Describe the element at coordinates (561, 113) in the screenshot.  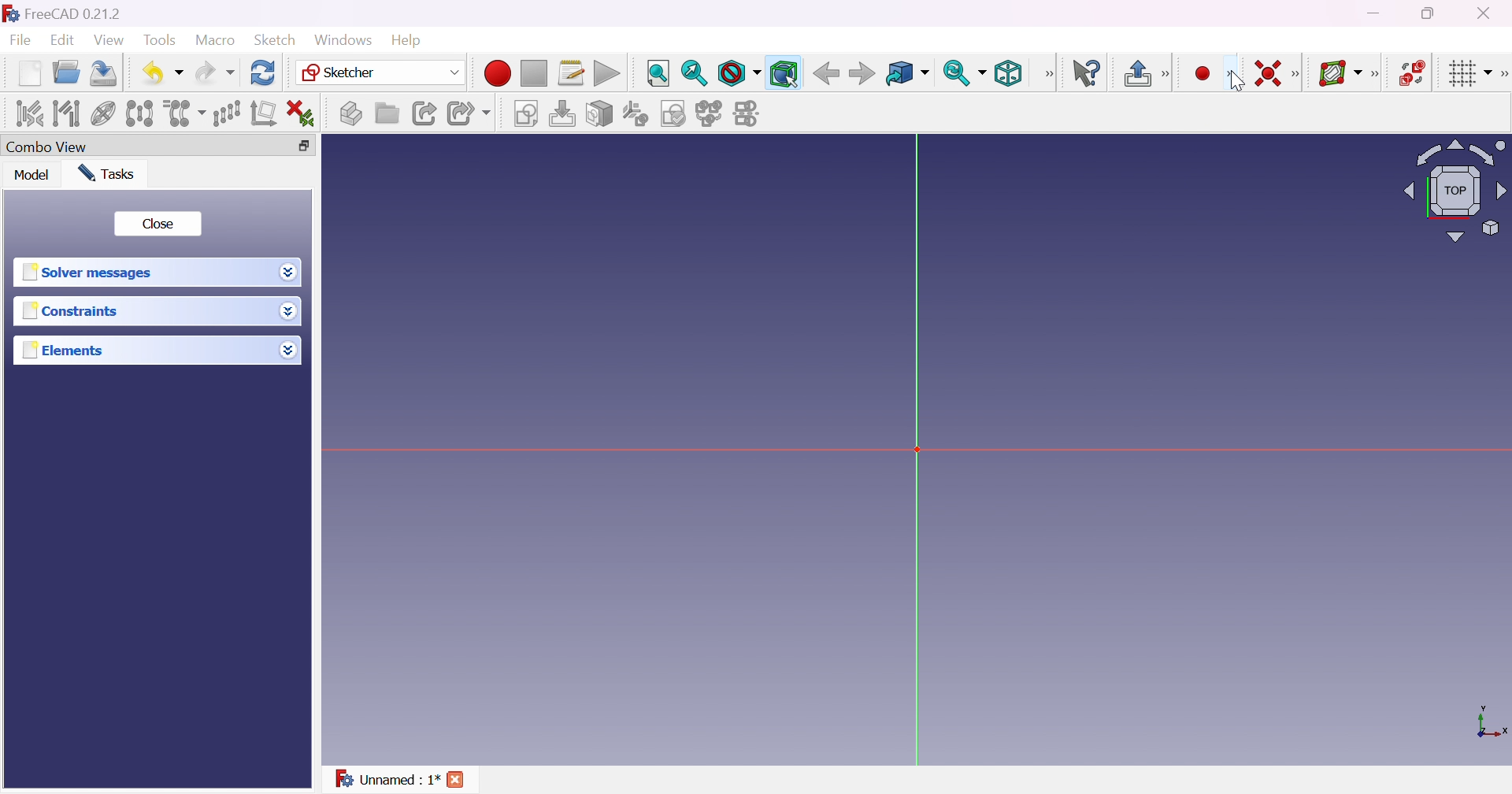
I see `Edit sketch` at that location.